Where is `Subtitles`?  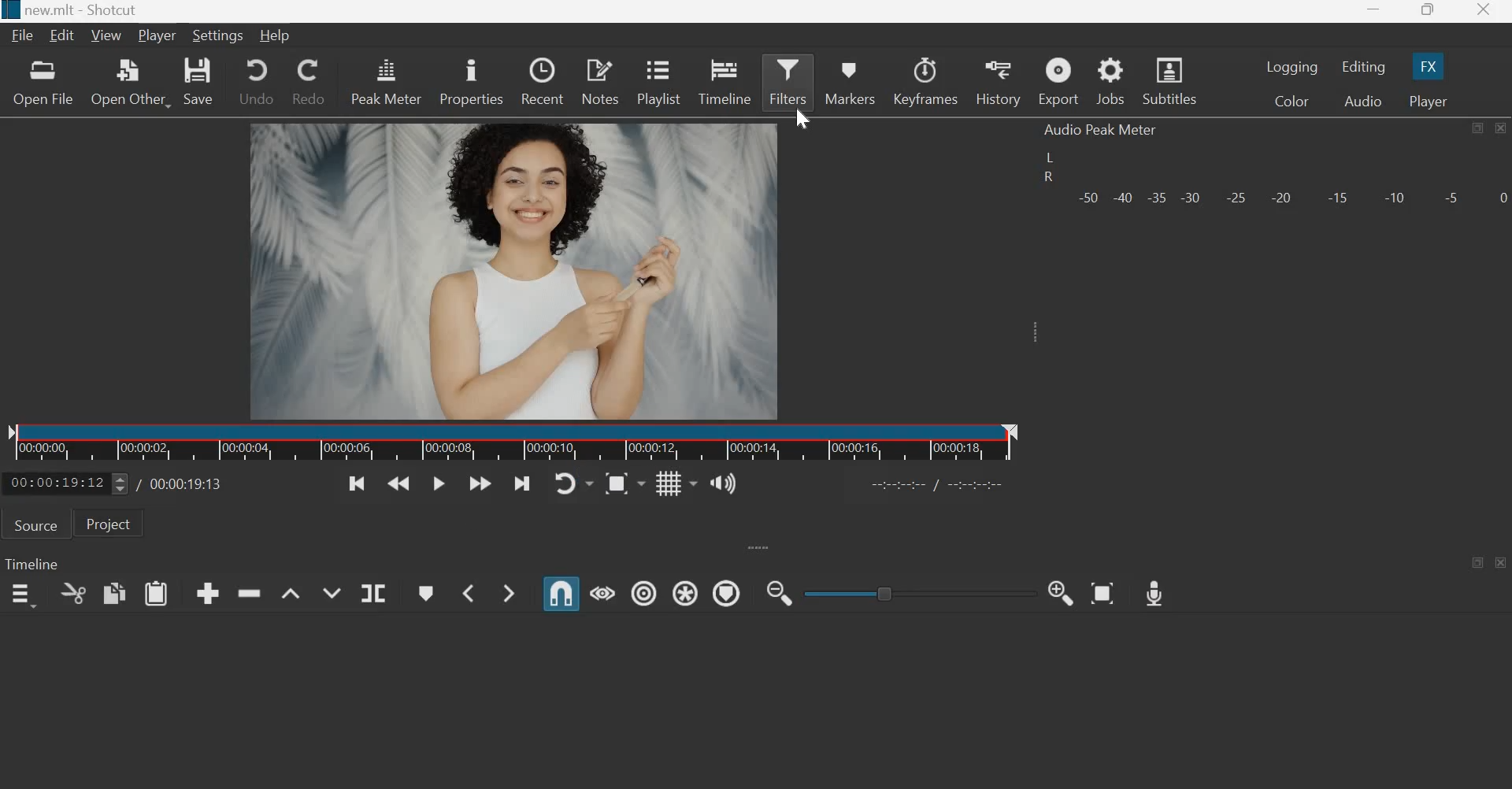 Subtitles is located at coordinates (1172, 80).